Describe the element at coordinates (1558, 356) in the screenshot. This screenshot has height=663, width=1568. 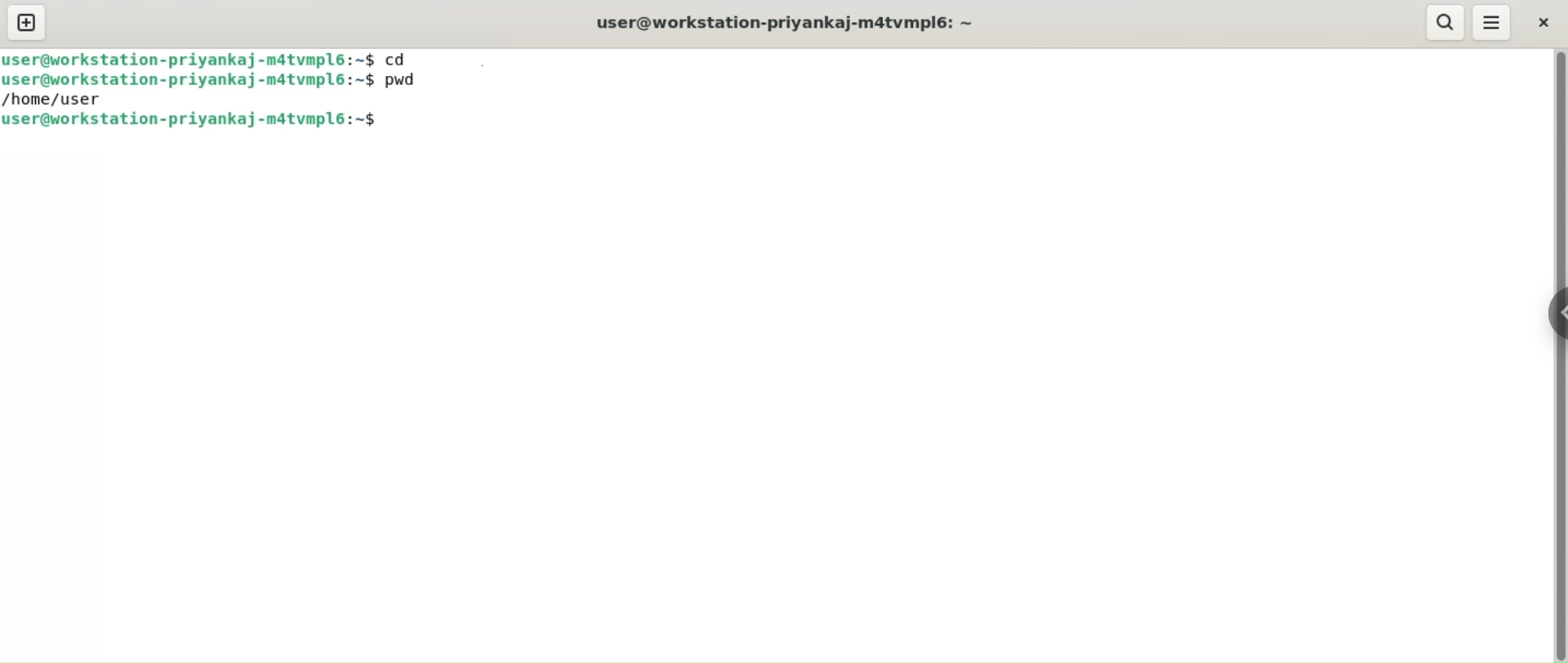
I see `verical scroll bar` at that location.